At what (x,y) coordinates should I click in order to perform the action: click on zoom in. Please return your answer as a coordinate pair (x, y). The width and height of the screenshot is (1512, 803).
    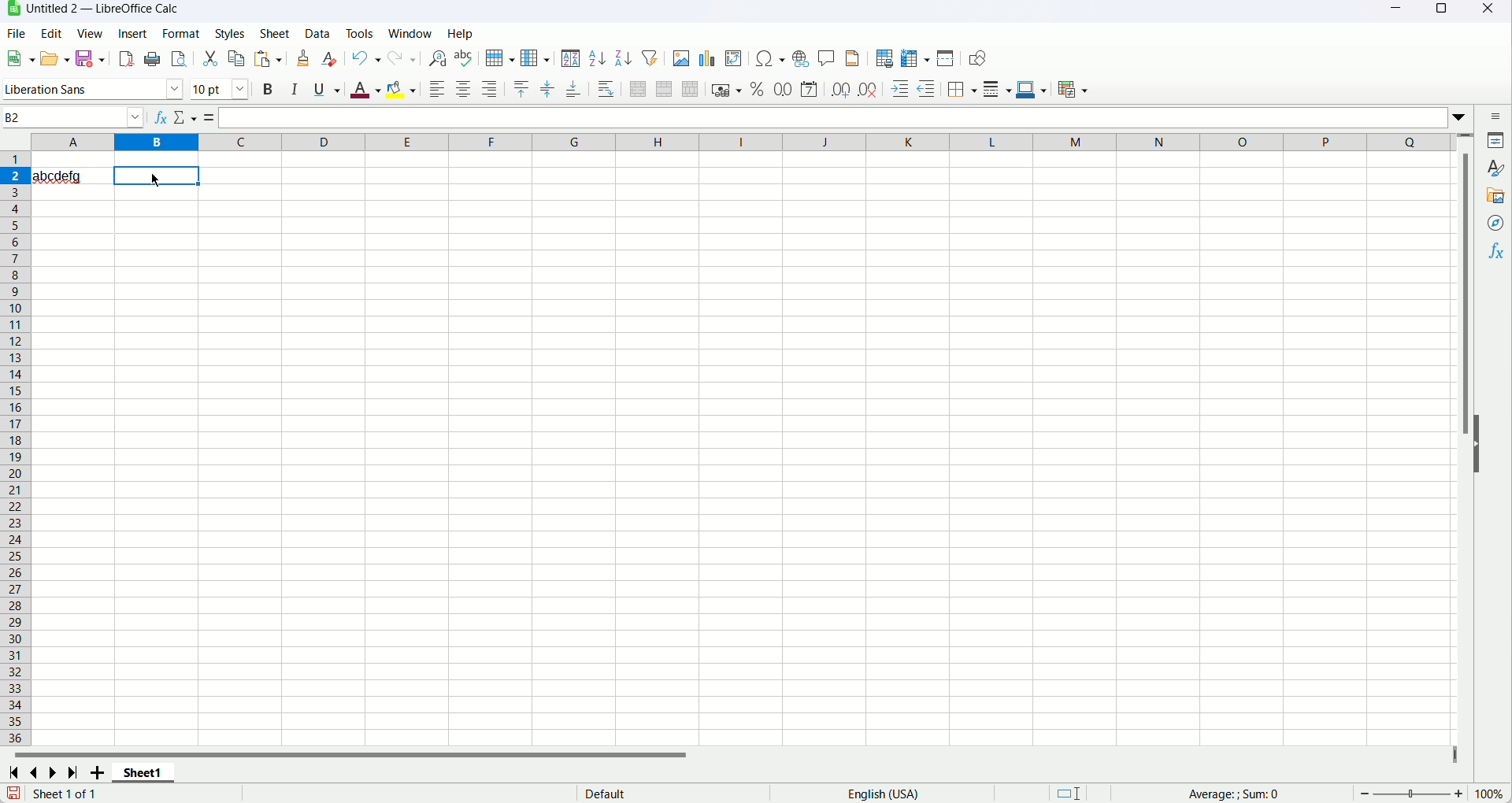
    Looking at the image, I should click on (1459, 794).